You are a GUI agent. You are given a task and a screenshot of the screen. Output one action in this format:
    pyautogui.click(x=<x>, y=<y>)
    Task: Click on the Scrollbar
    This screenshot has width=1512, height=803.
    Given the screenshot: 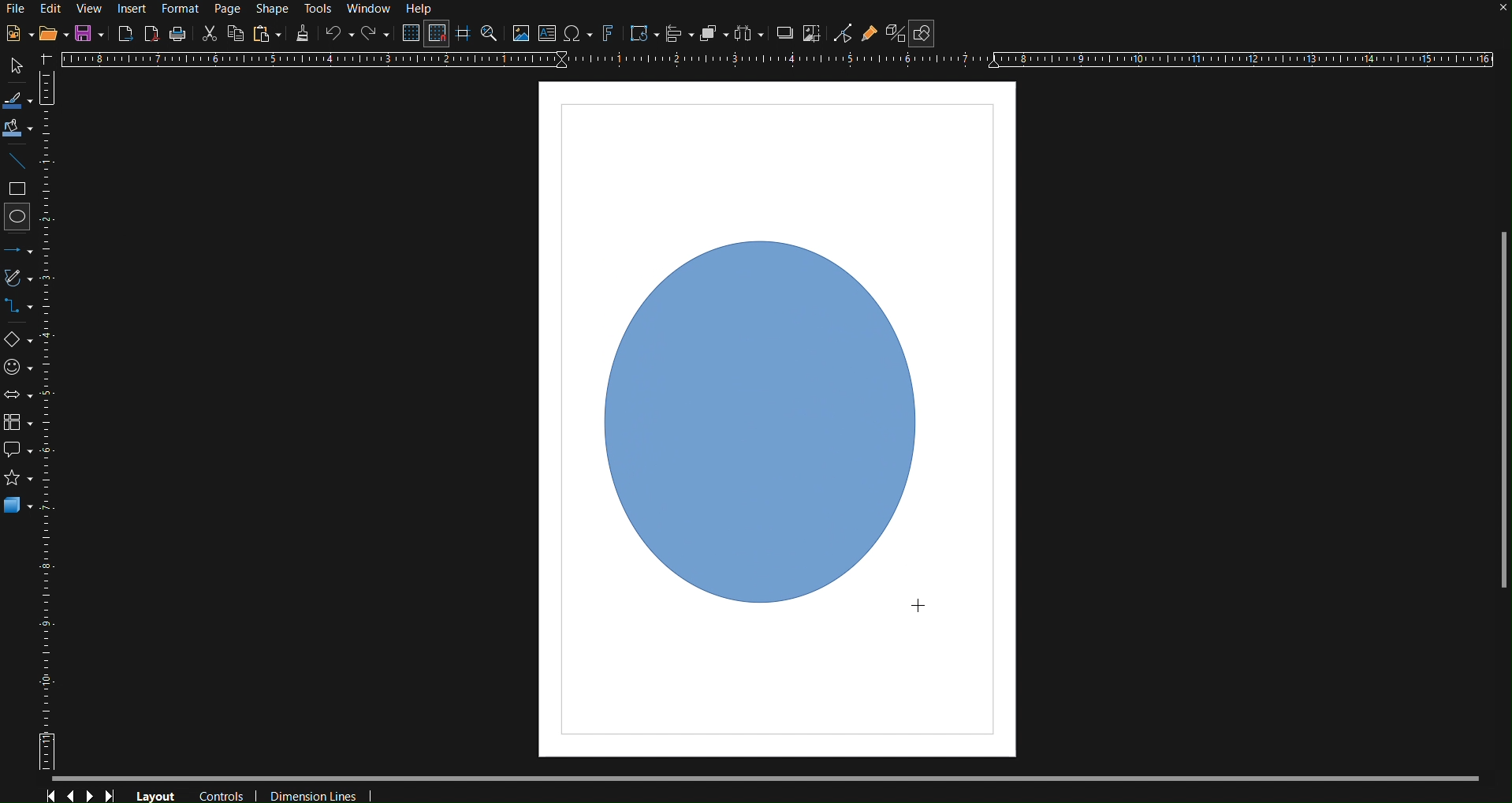 What is the action you would take?
    pyautogui.click(x=1503, y=409)
    